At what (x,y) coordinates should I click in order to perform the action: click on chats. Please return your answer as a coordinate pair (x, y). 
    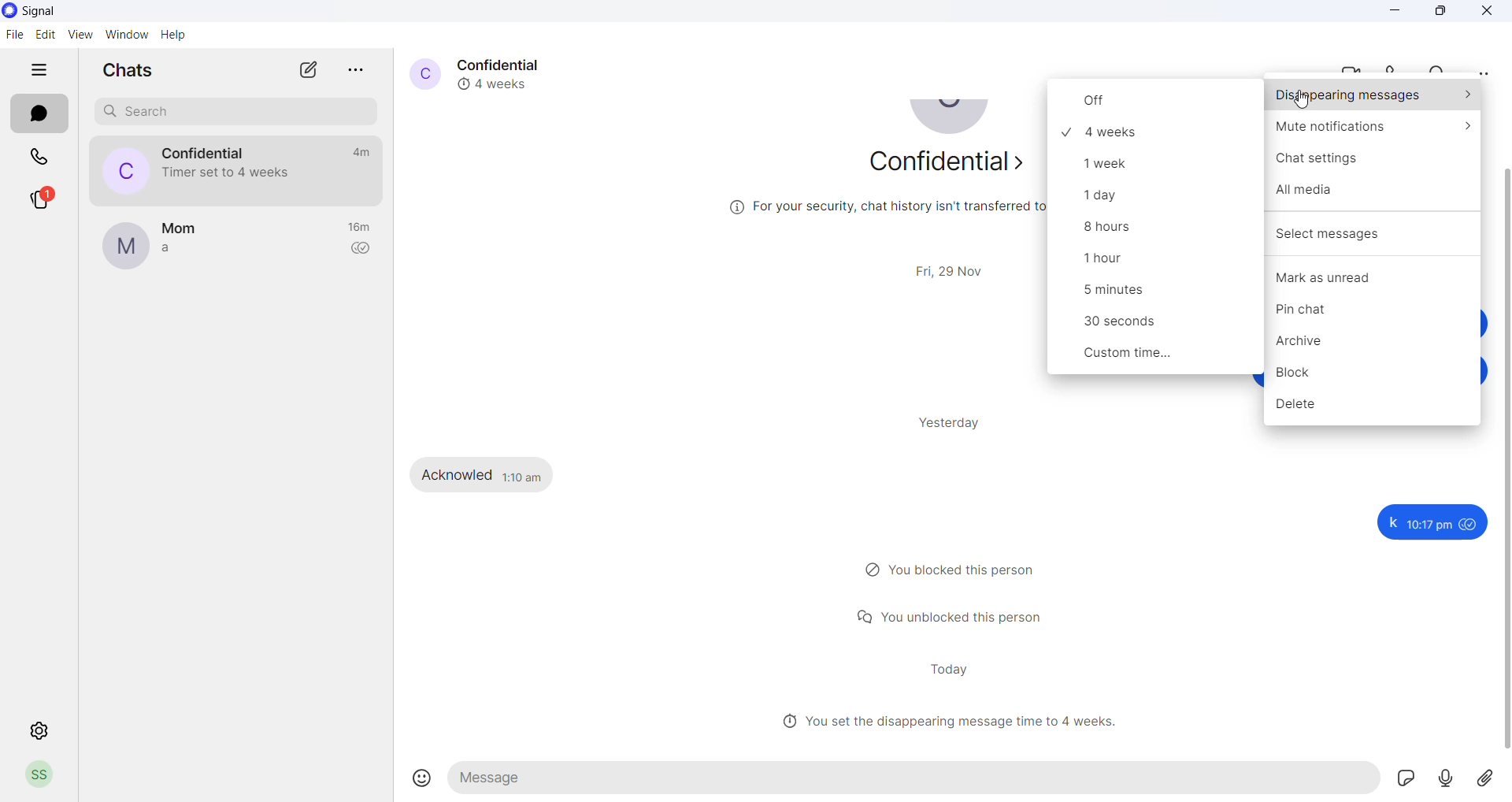
    Looking at the image, I should click on (41, 114).